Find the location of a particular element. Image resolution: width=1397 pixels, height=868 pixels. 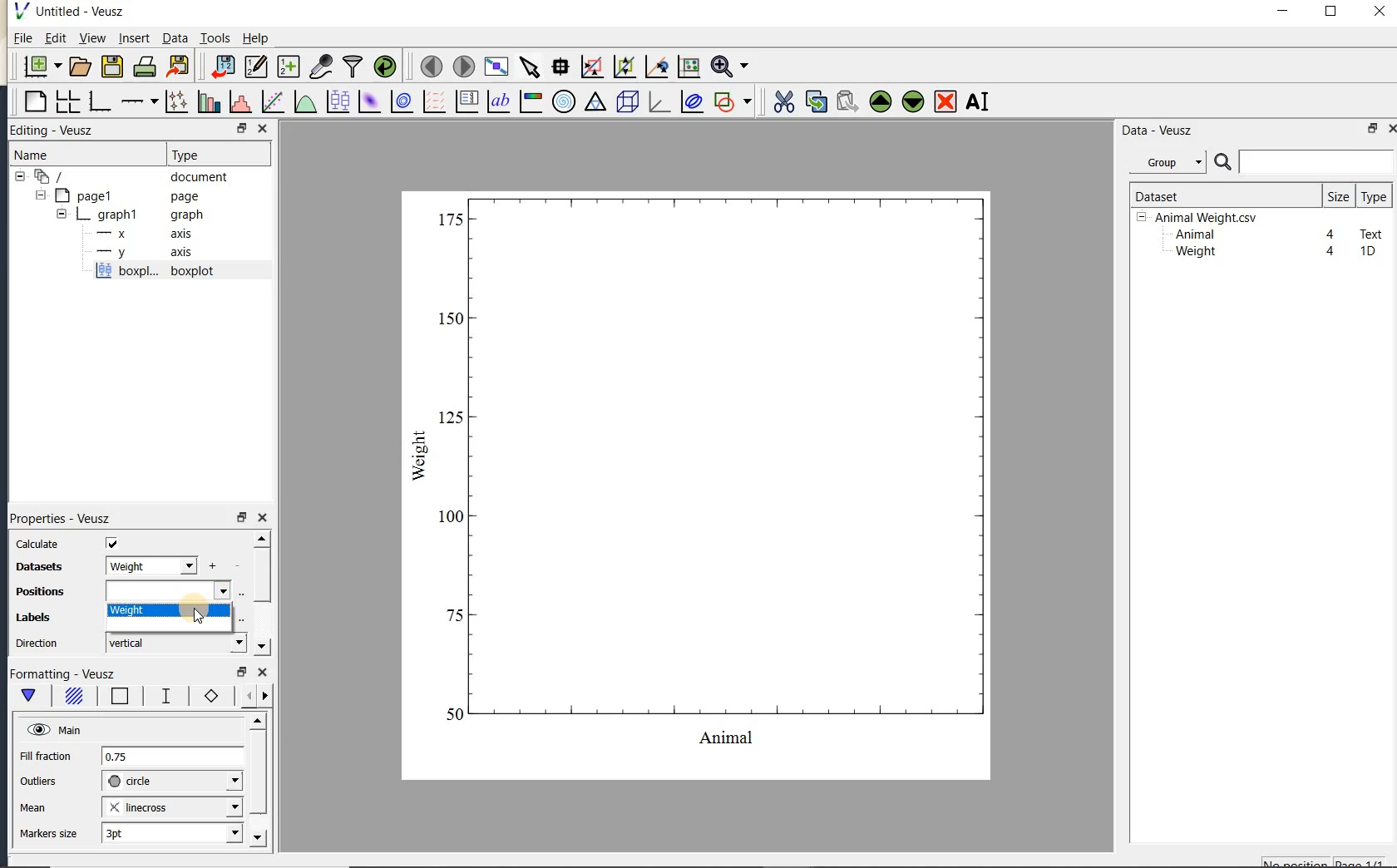

RESTORE is located at coordinates (239, 126).